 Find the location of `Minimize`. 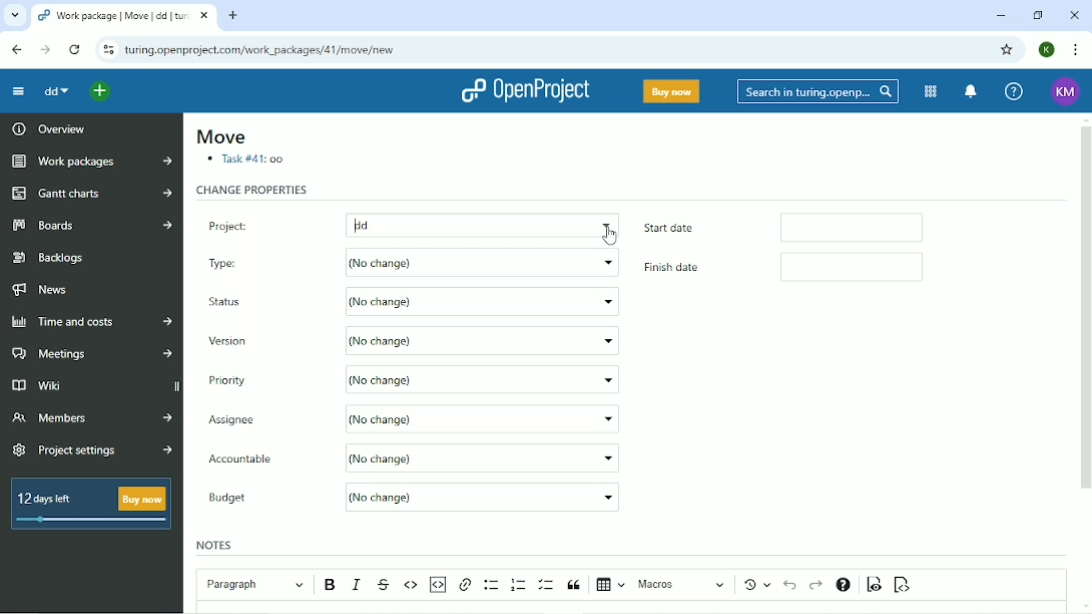

Minimize is located at coordinates (999, 16).